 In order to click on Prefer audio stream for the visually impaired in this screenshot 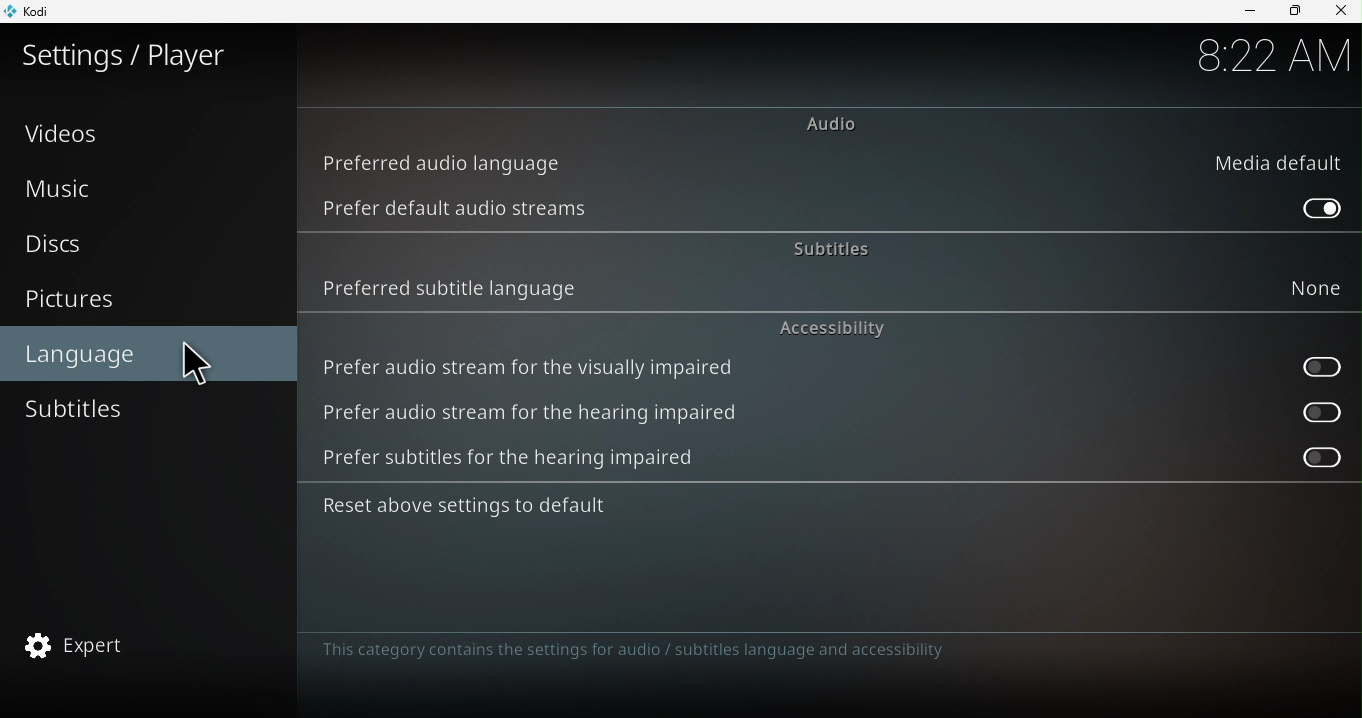, I will do `click(533, 365)`.